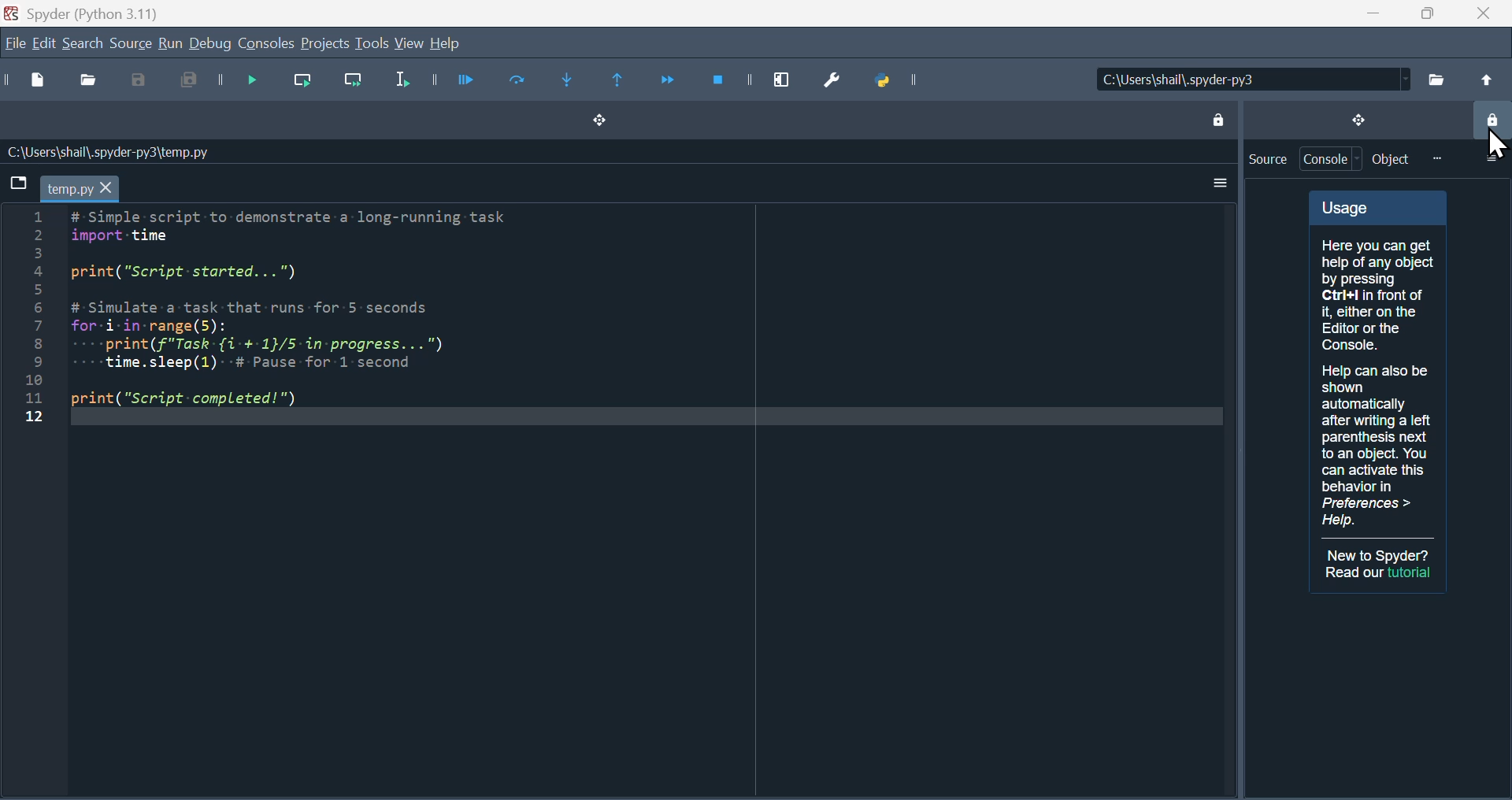 This screenshot has height=800, width=1512. I want to click on Python path manager, so click(906, 80).